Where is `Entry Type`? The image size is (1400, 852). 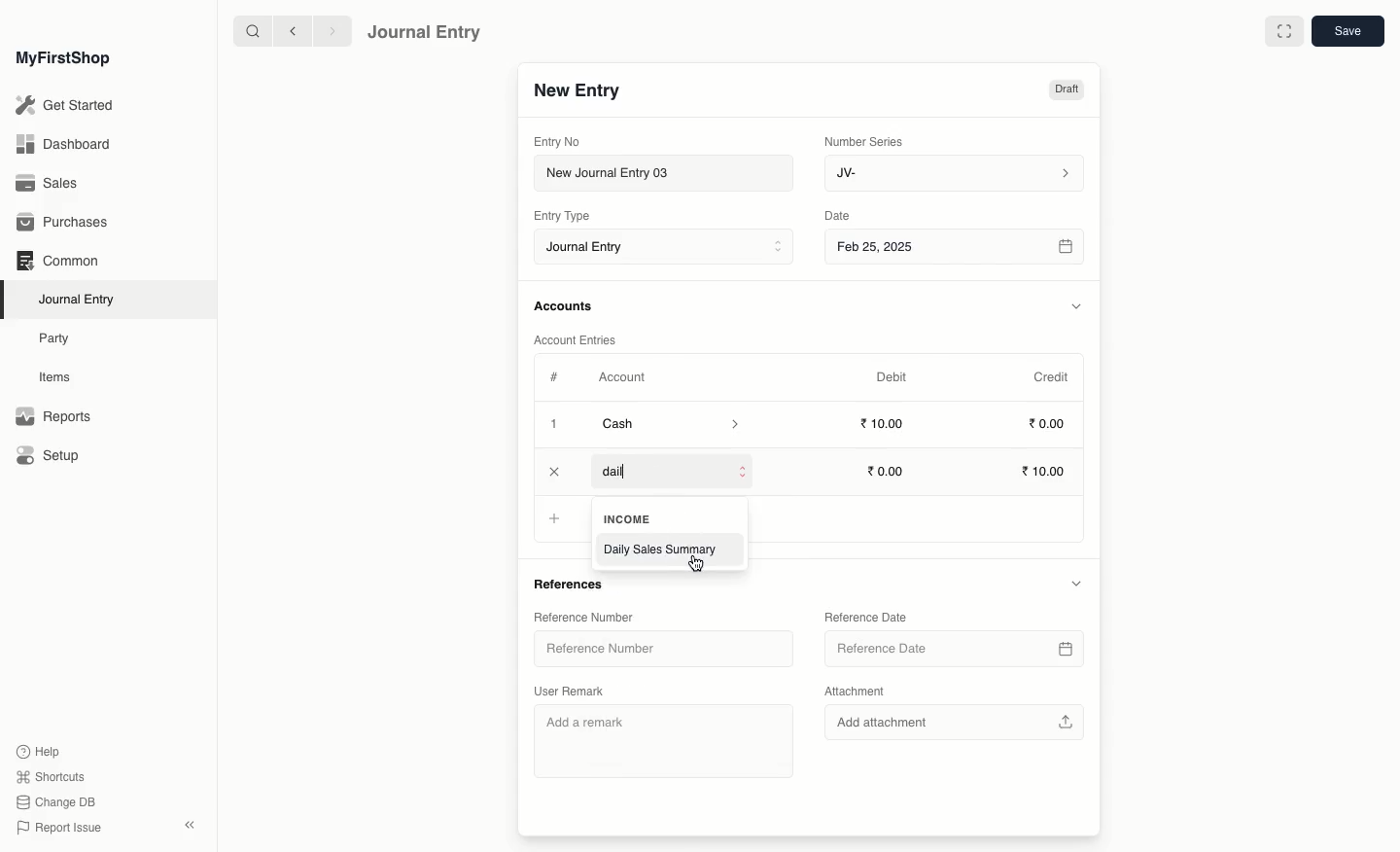
Entry Type is located at coordinates (568, 216).